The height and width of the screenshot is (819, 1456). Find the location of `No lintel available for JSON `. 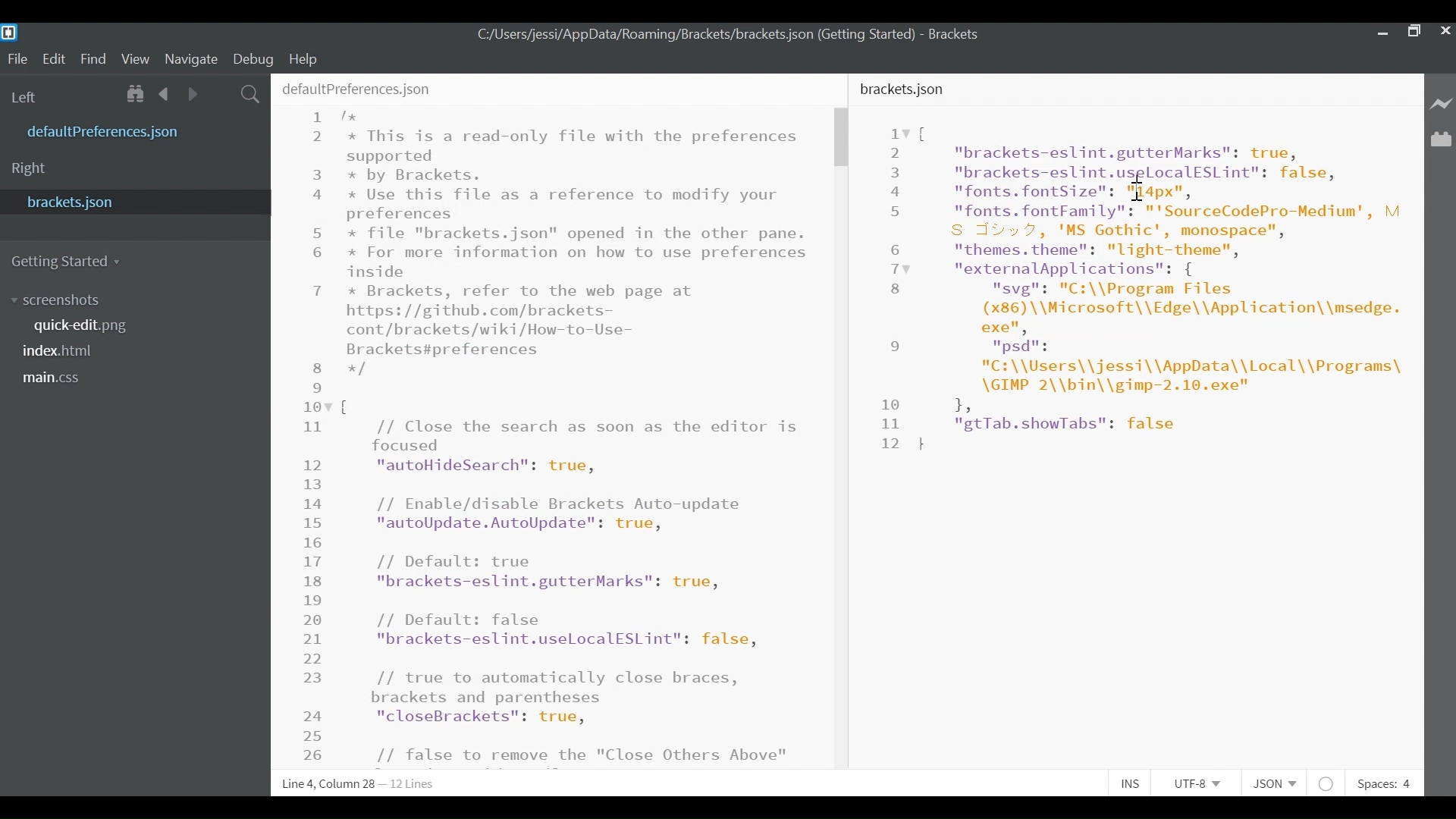

No lintel available for JSON  is located at coordinates (1327, 781).